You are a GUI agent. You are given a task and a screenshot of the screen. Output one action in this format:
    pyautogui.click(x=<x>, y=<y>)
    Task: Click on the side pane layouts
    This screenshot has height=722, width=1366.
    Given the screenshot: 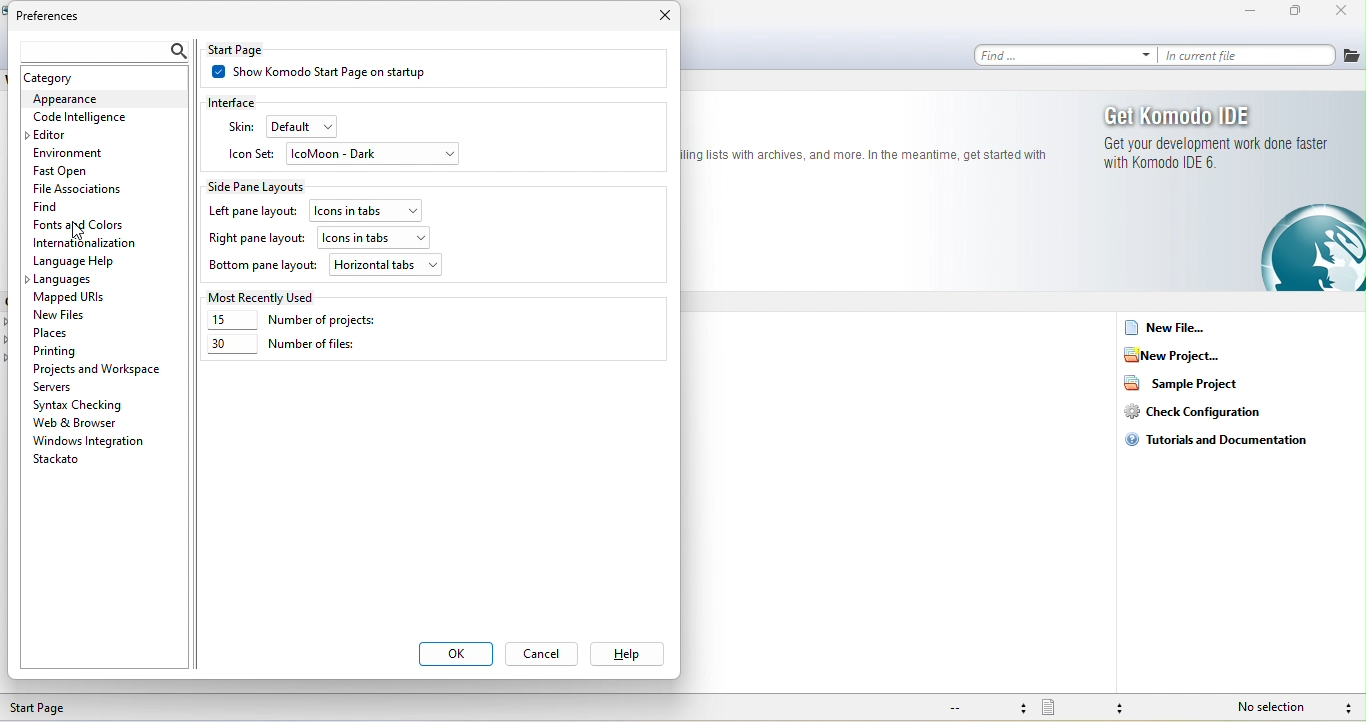 What is the action you would take?
    pyautogui.click(x=264, y=185)
    